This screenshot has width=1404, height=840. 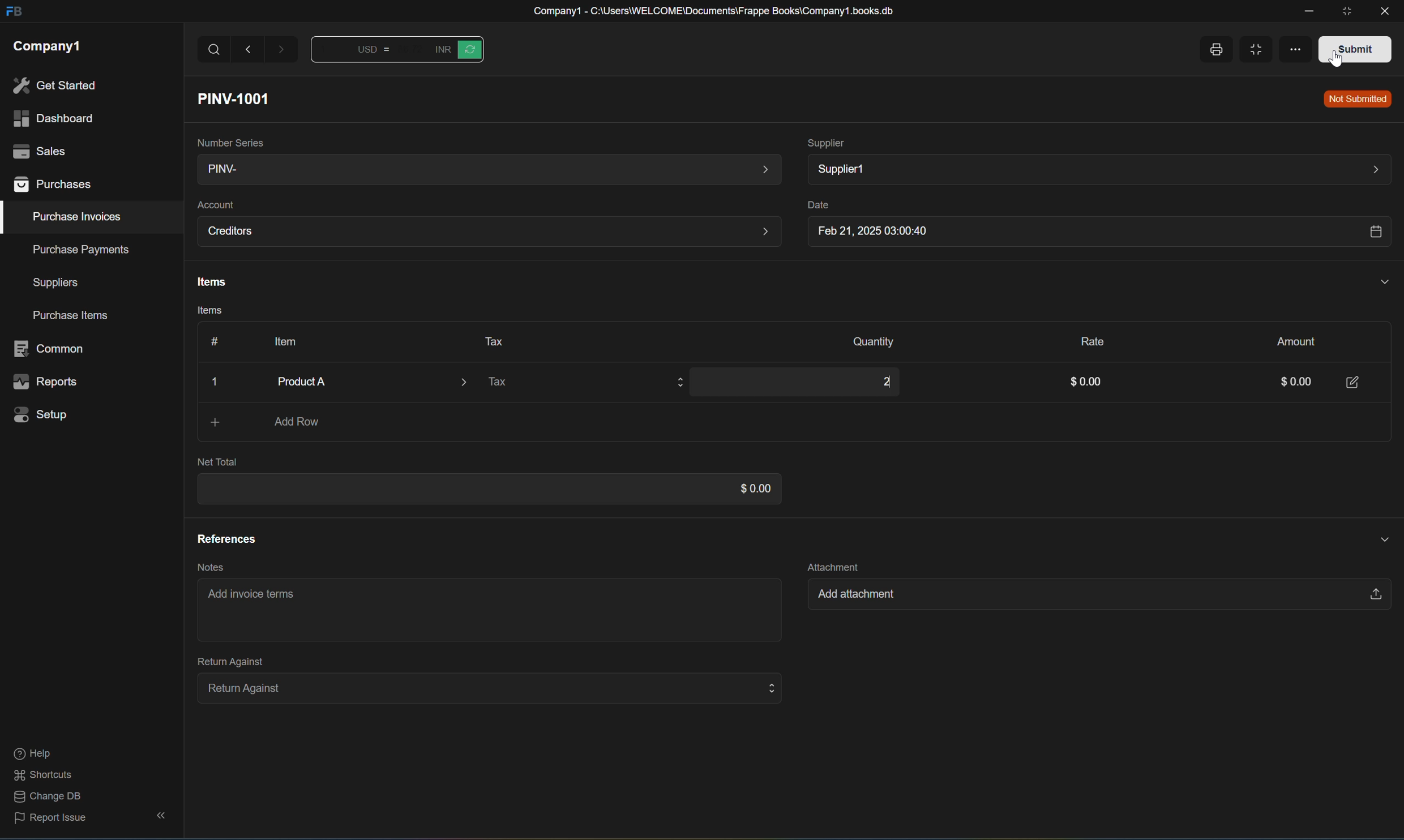 What do you see at coordinates (217, 383) in the screenshot?
I see `Close` at bounding box center [217, 383].